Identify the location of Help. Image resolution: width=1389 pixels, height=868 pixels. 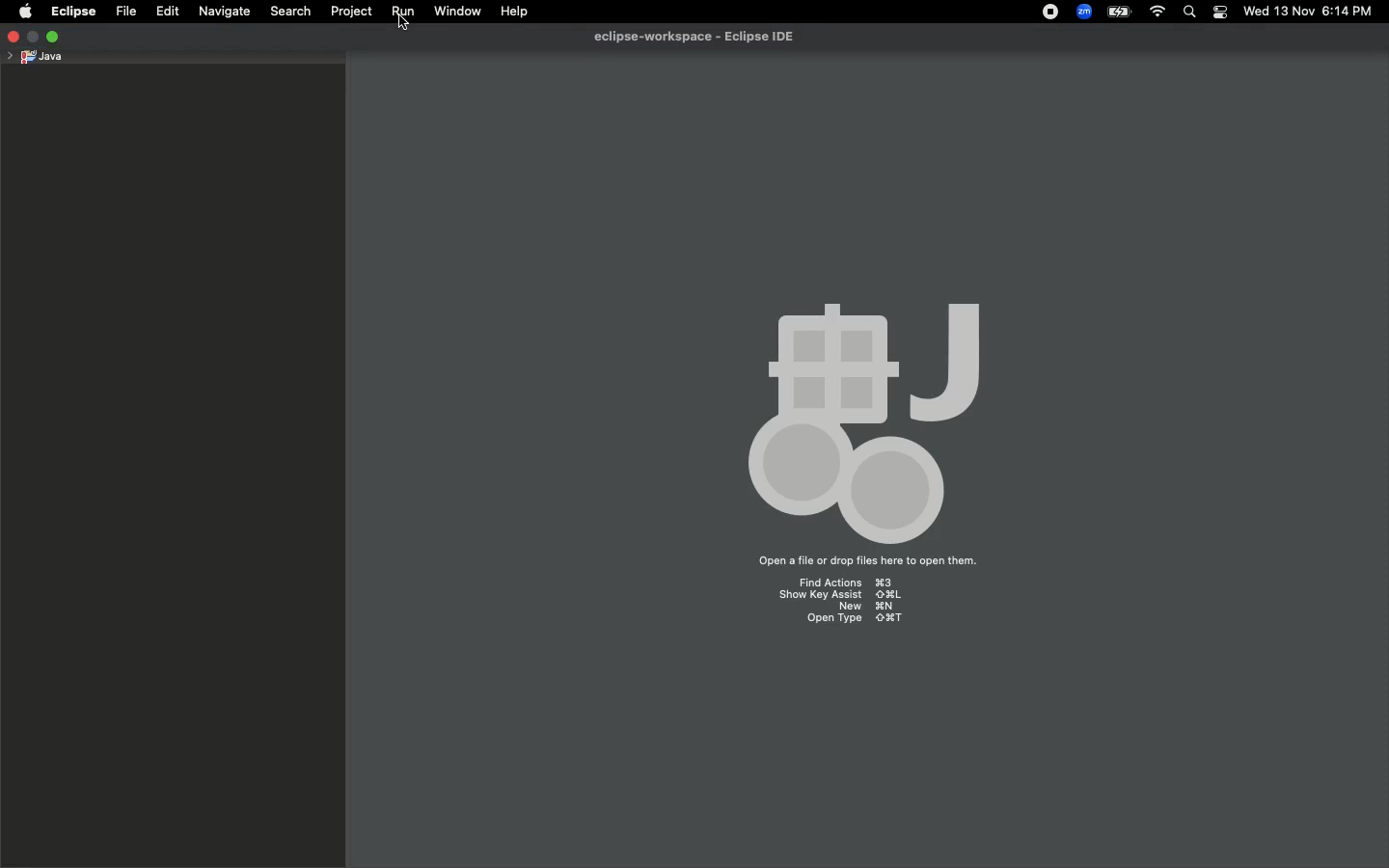
(519, 11).